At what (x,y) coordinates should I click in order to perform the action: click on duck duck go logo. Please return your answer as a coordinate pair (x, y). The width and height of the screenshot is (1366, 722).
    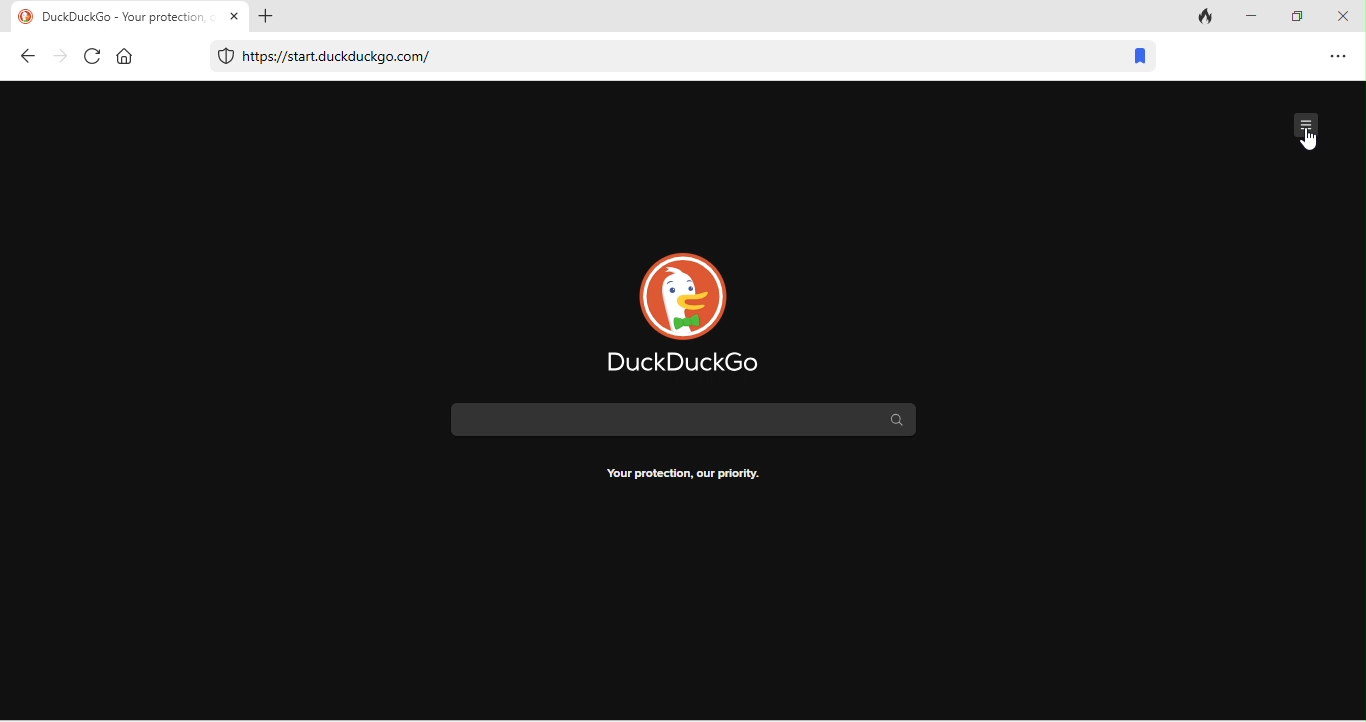
    Looking at the image, I should click on (684, 310).